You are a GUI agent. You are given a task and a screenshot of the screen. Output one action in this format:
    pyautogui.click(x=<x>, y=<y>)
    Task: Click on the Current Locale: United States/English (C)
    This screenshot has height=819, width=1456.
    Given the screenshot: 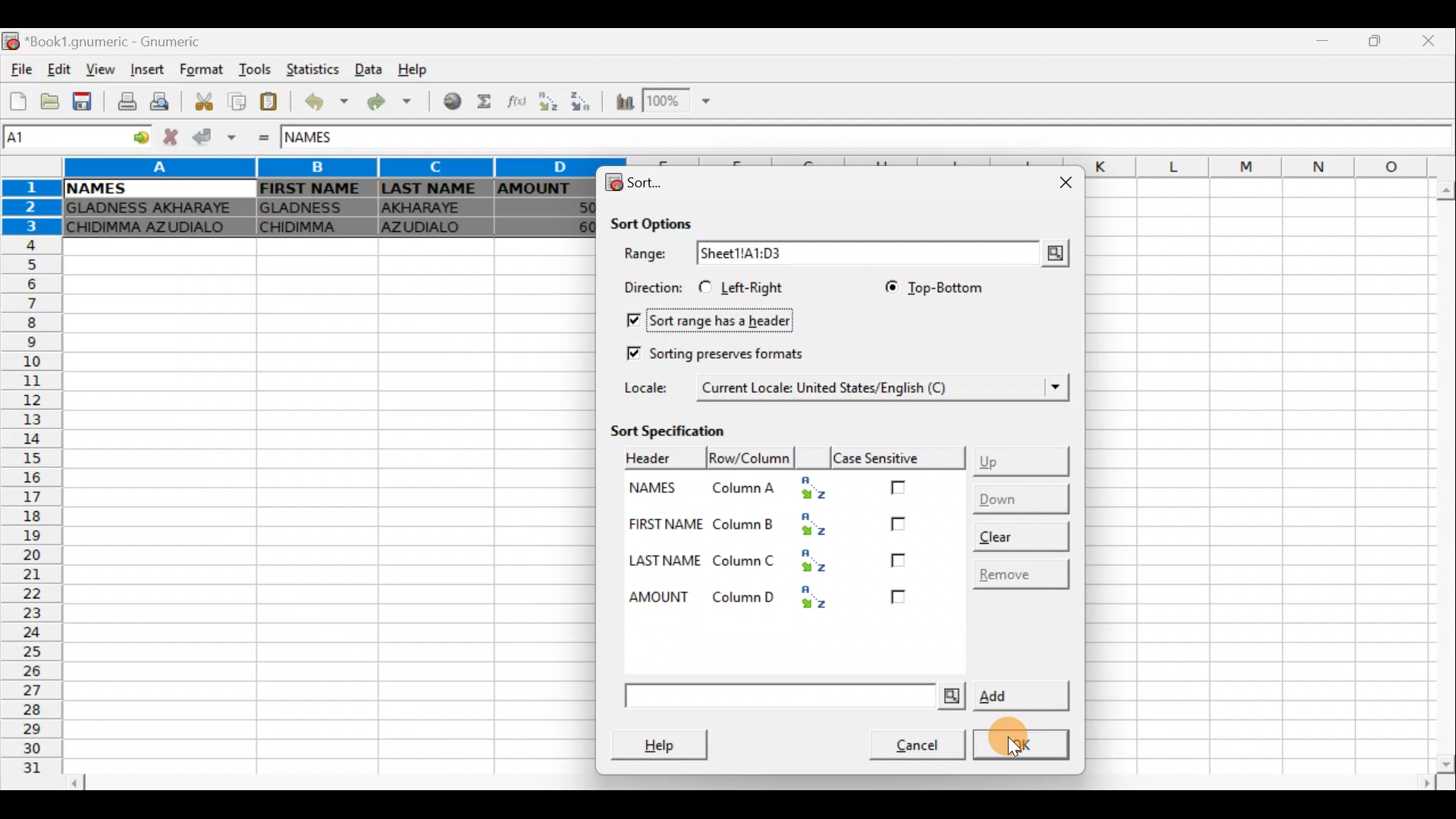 What is the action you would take?
    pyautogui.click(x=827, y=386)
    